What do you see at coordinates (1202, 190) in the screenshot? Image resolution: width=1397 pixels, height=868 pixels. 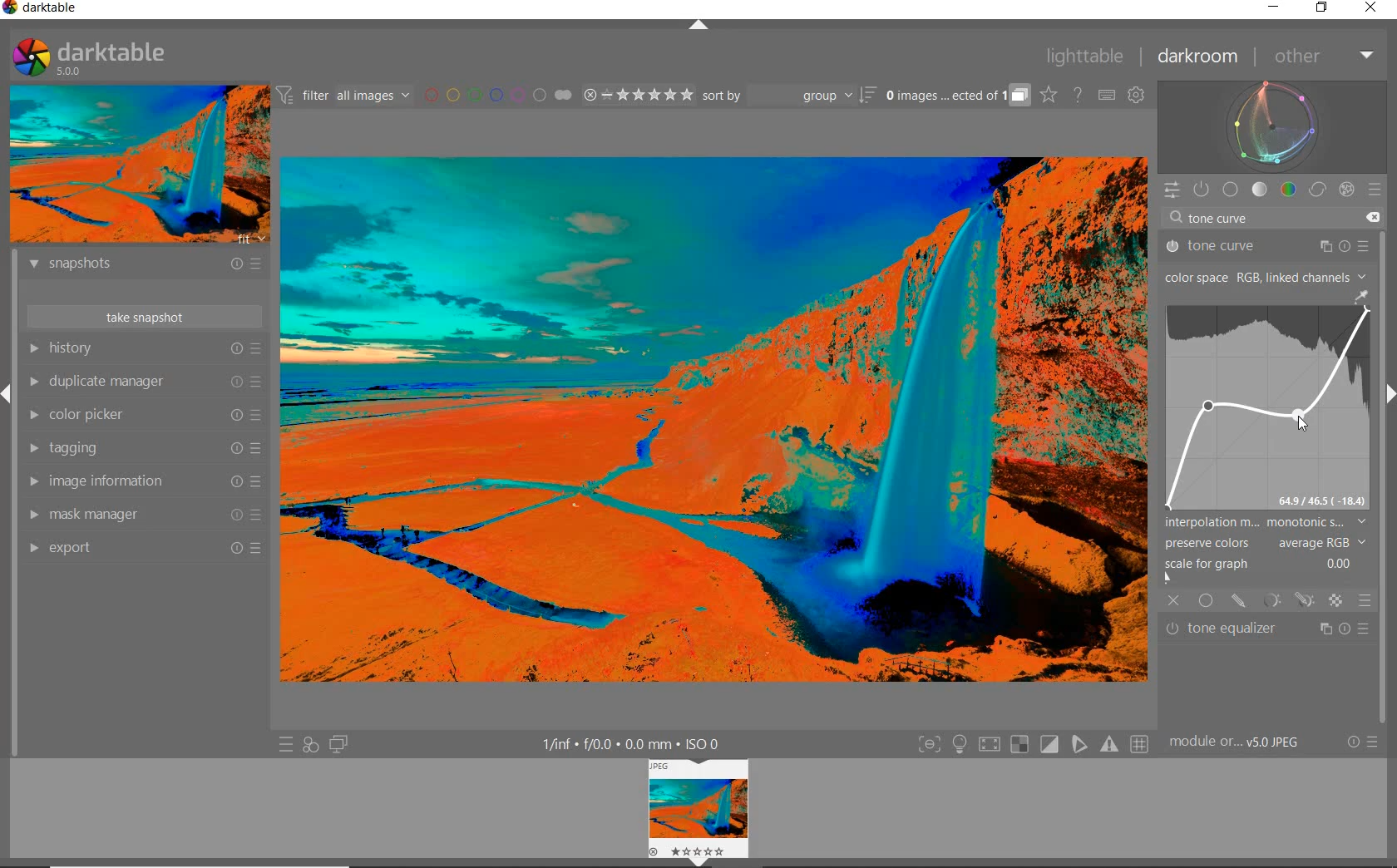 I see `SHOW ONLY ACTIVE MODULES` at bounding box center [1202, 190].